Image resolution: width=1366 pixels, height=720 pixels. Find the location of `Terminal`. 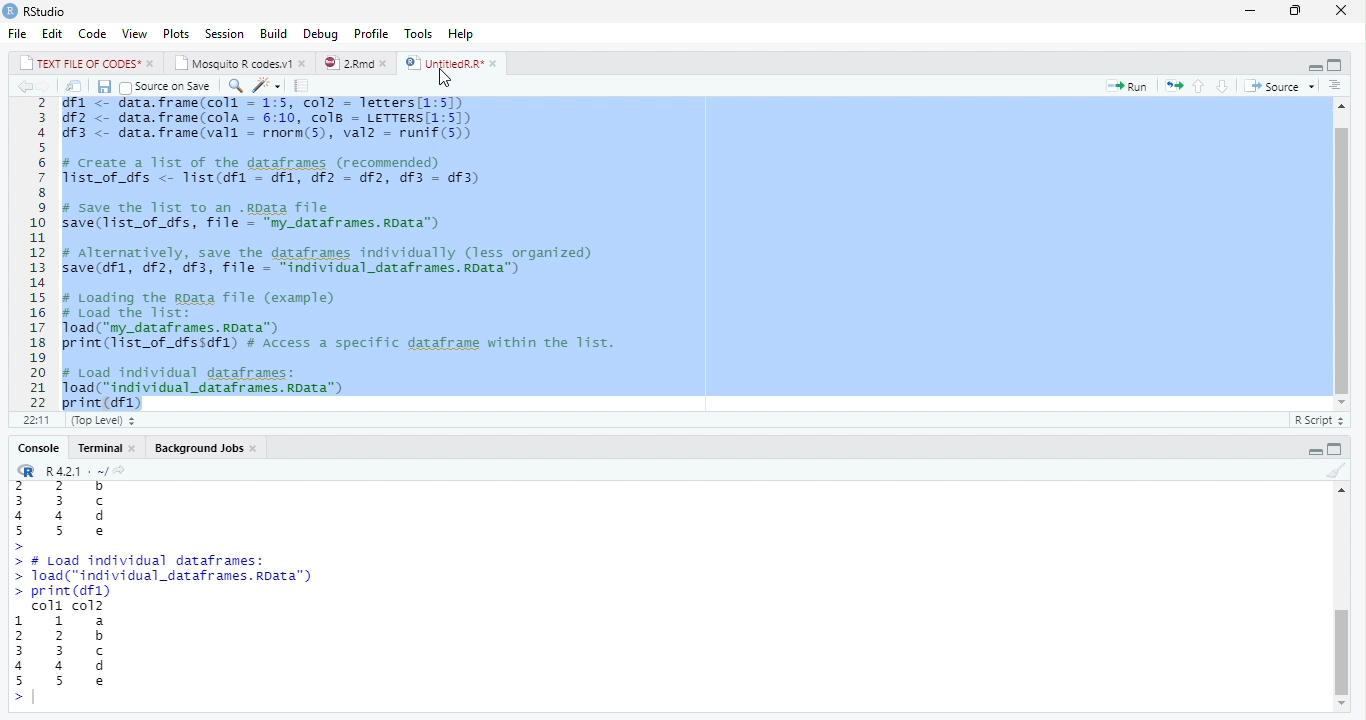

Terminal is located at coordinates (108, 448).